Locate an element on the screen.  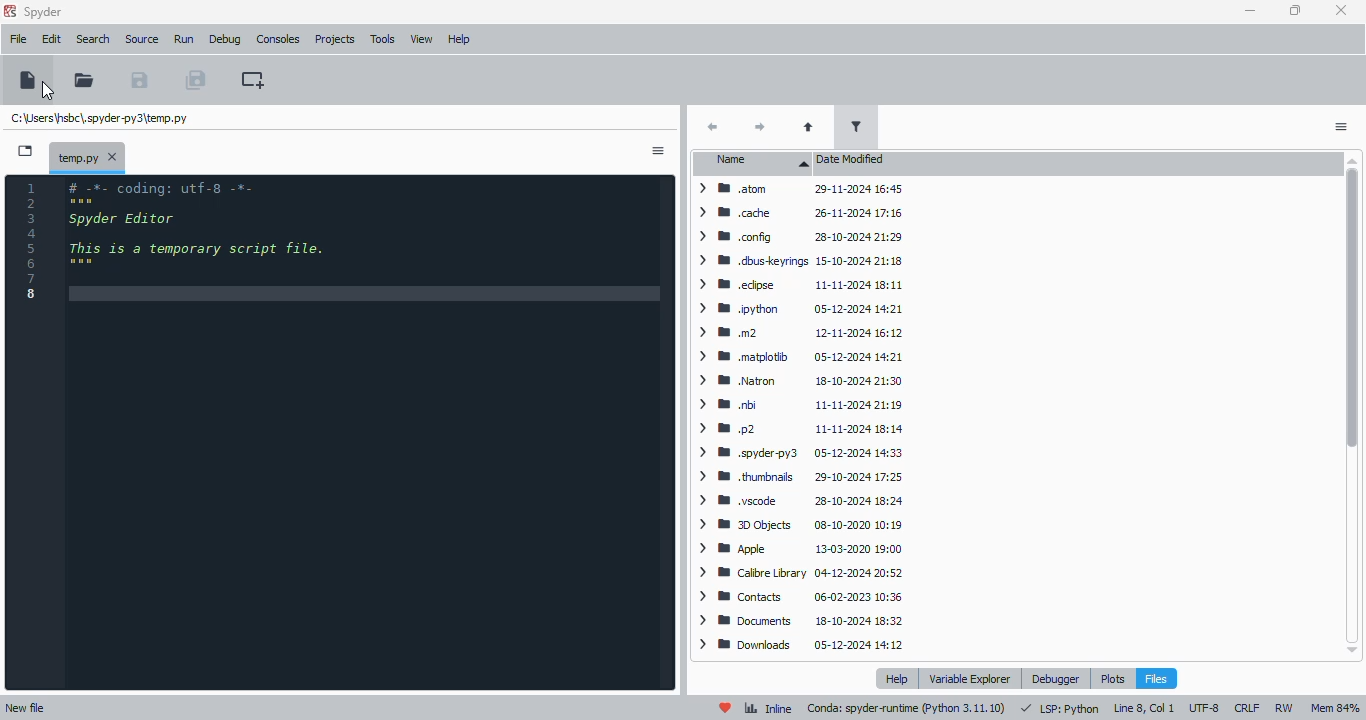
open file is located at coordinates (84, 79).